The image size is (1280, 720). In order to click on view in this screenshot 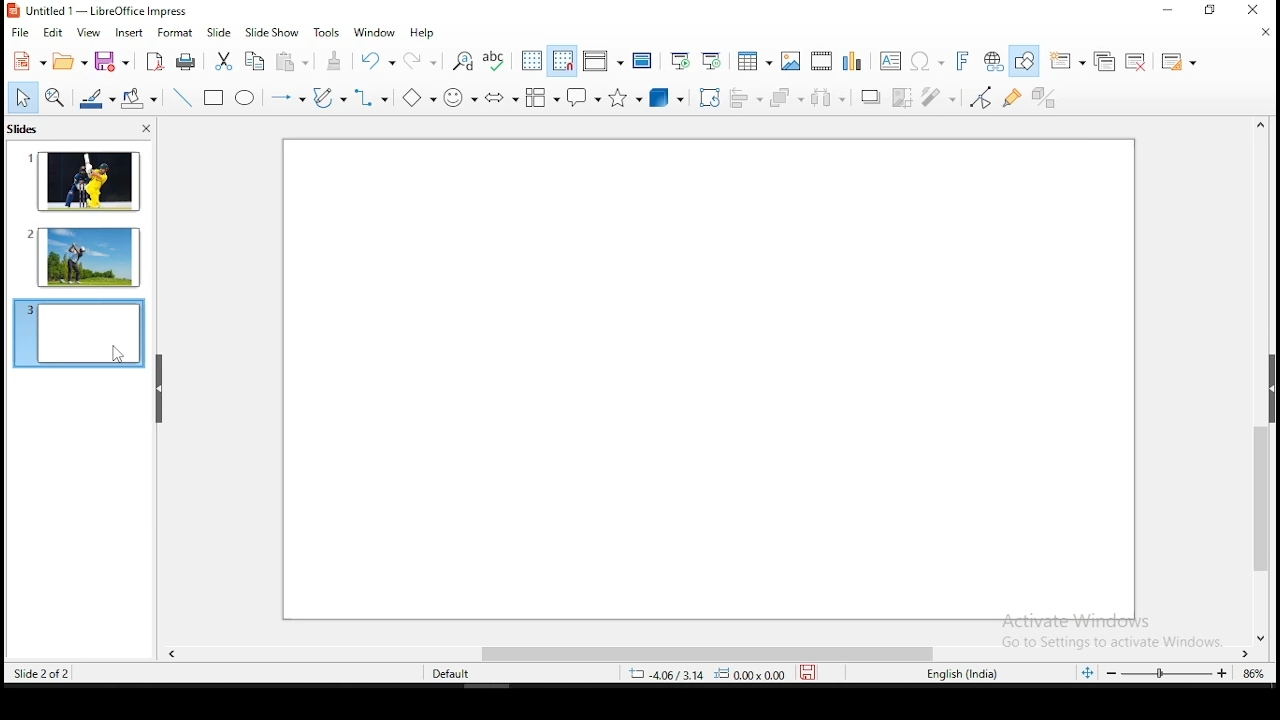, I will do `click(88, 33)`.